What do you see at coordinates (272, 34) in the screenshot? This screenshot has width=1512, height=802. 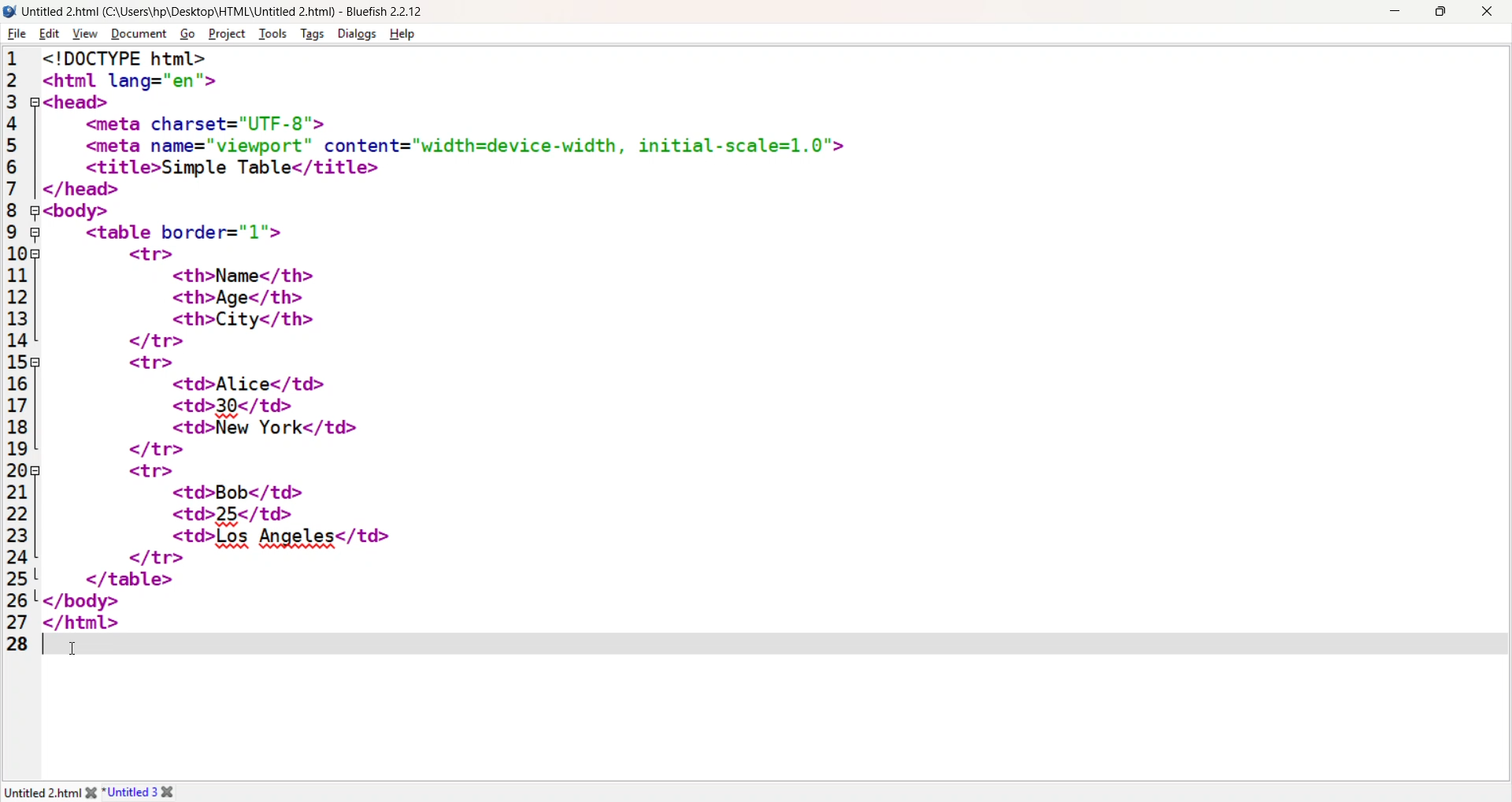 I see `Tools` at bounding box center [272, 34].